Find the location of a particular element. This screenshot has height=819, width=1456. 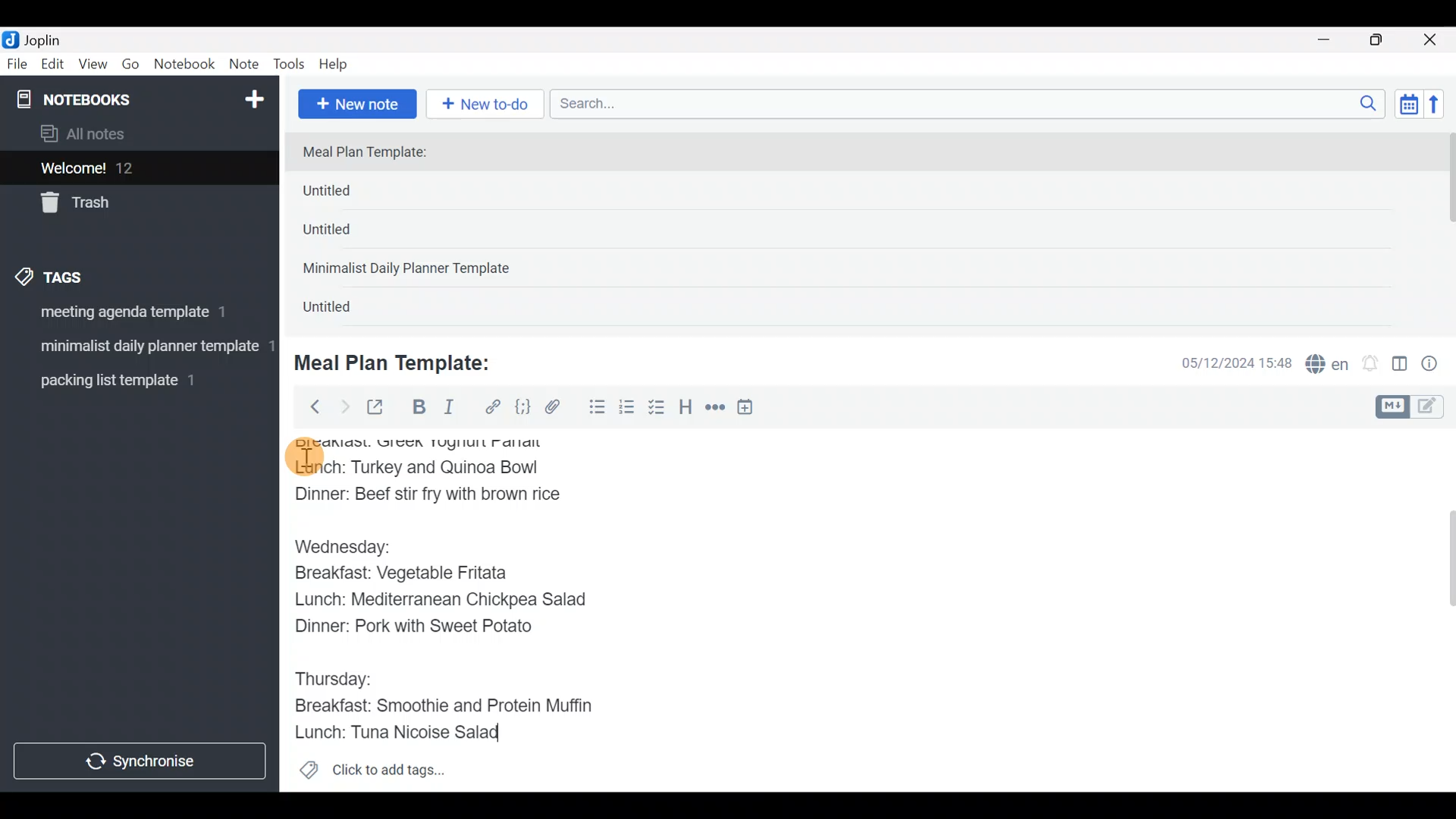

New to-do is located at coordinates (488, 105).